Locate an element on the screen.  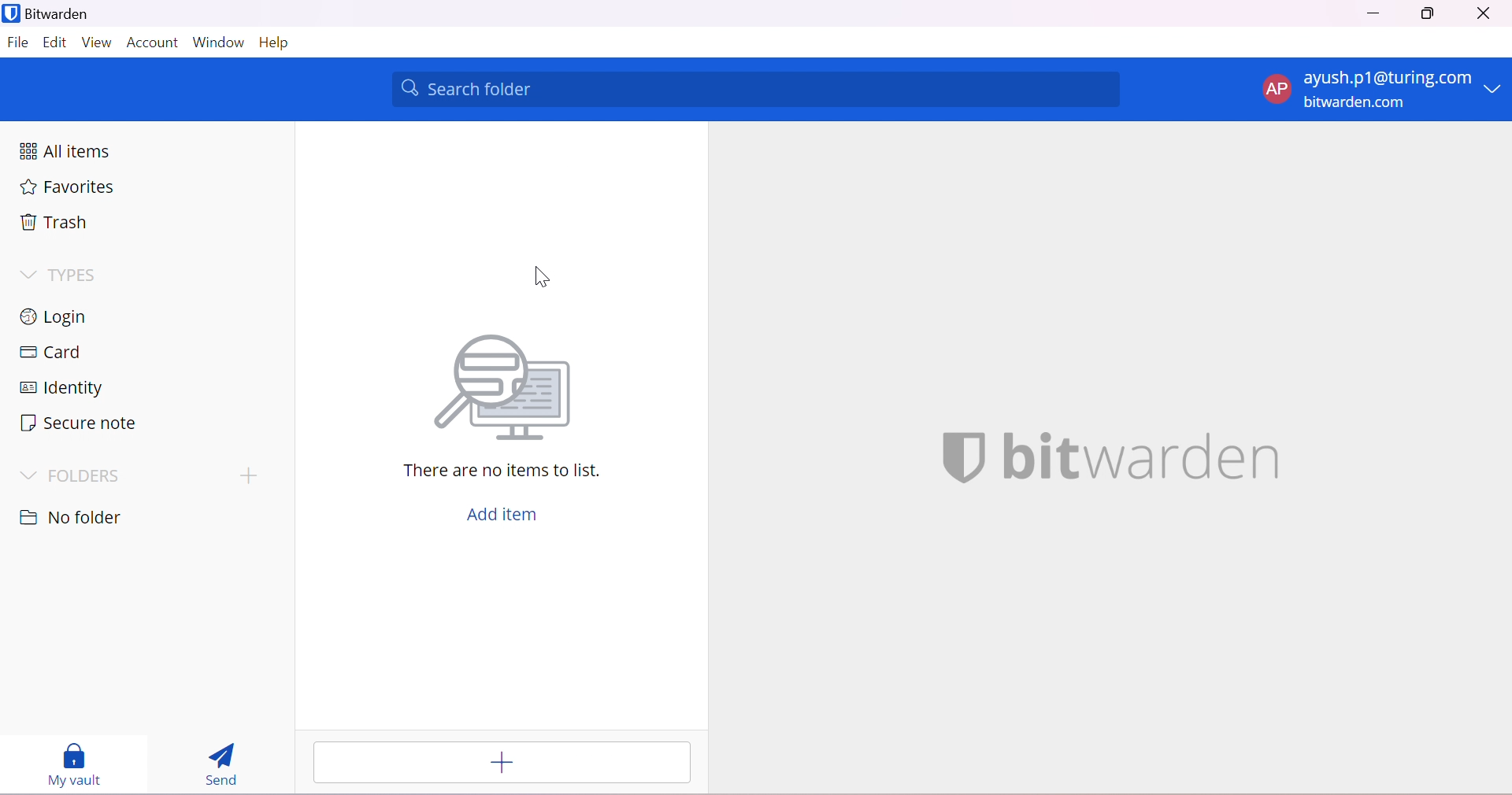
Card is located at coordinates (51, 352).